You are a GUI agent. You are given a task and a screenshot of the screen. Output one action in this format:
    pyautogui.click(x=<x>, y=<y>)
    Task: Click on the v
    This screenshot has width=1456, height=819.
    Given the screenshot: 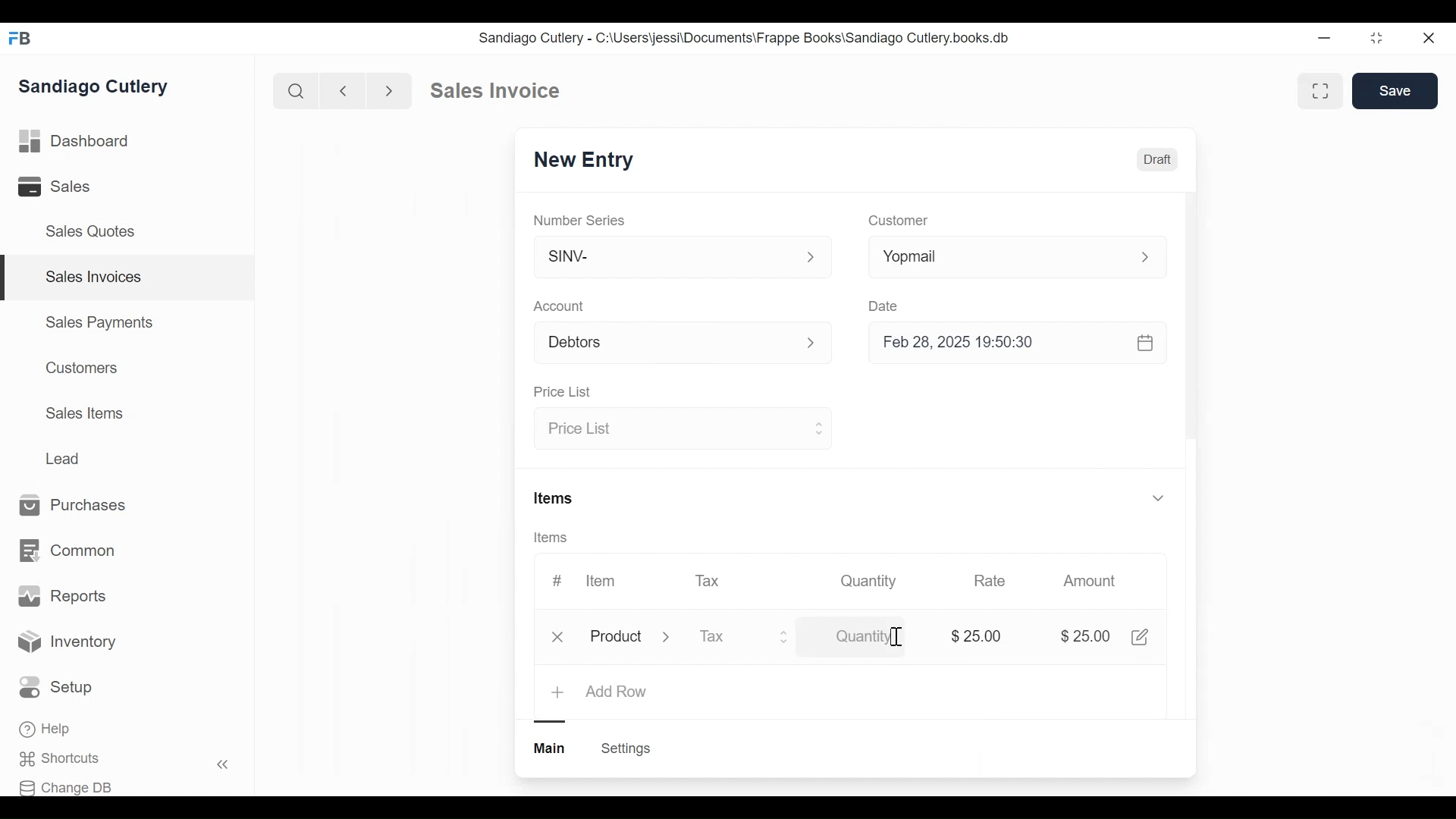 What is the action you would take?
    pyautogui.click(x=1159, y=499)
    